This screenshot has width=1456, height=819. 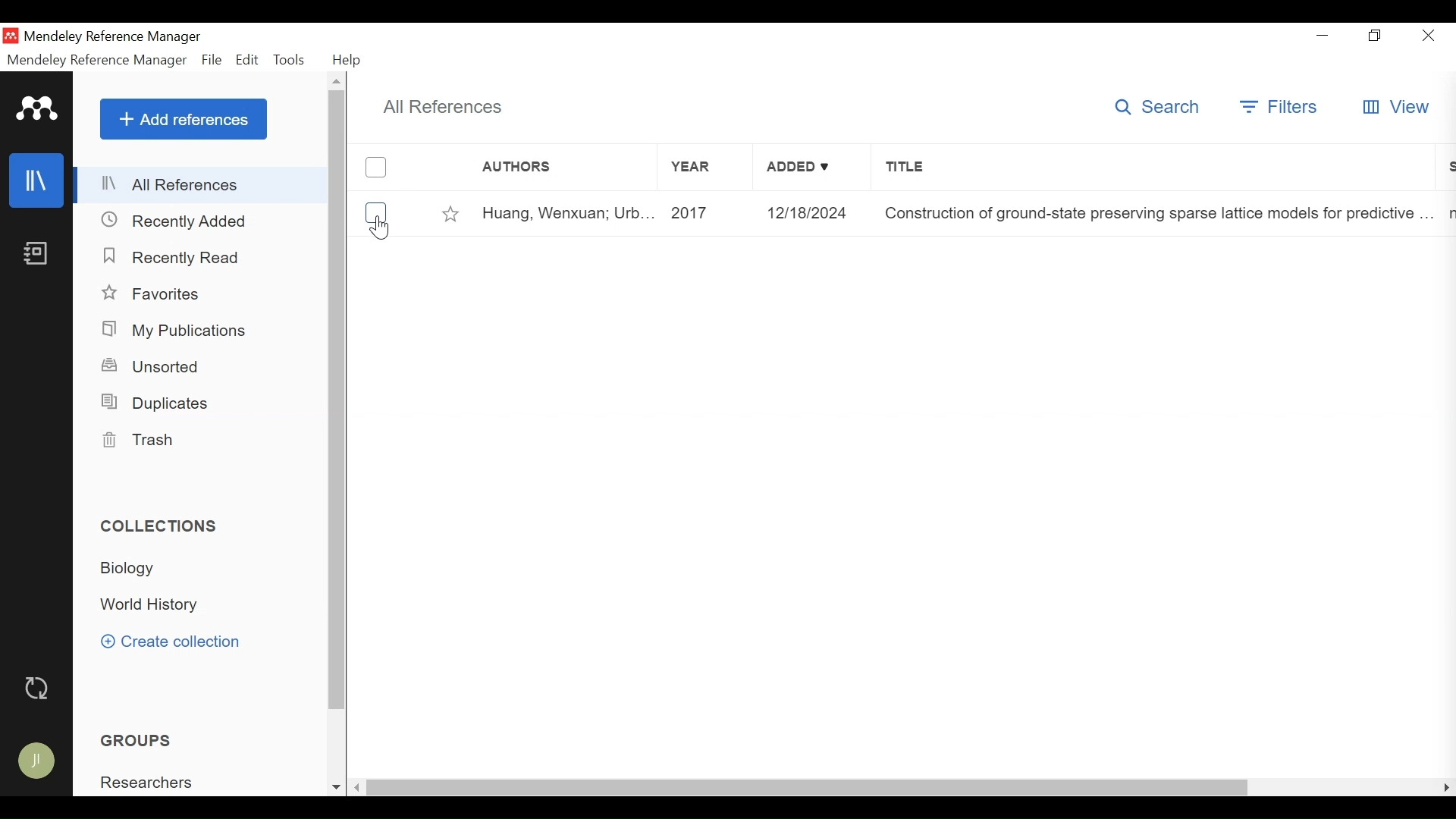 I want to click on Tools, so click(x=290, y=60).